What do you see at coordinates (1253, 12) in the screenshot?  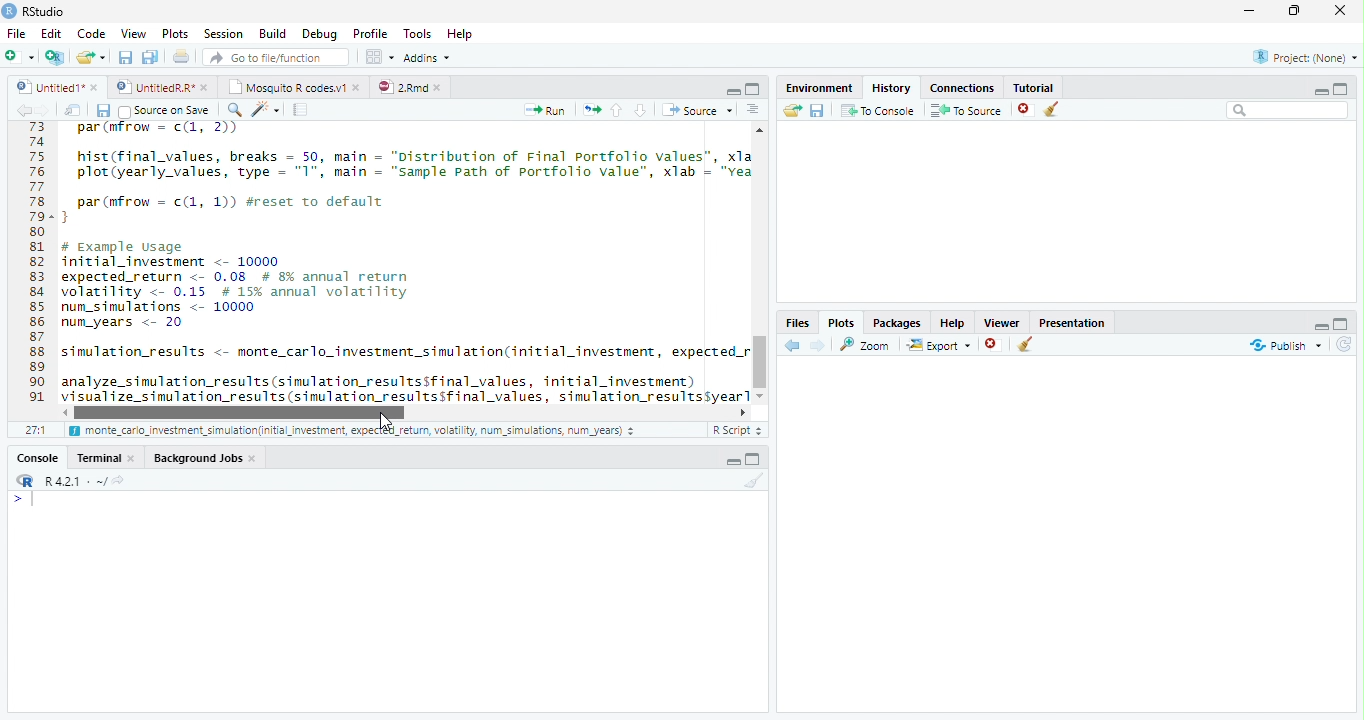 I see `Minimize` at bounding box center [1253, 12].